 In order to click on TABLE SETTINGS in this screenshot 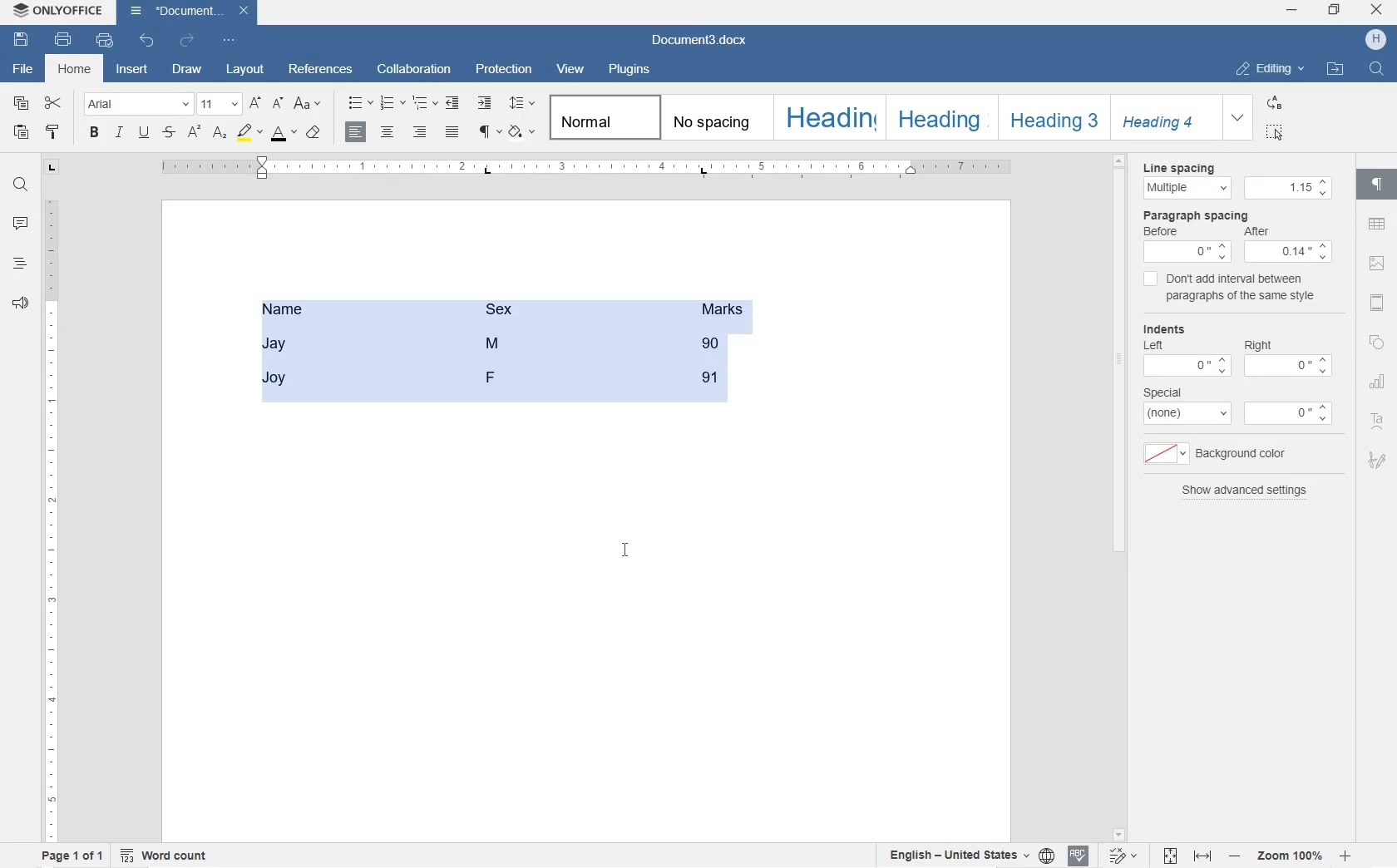, I will do `click(1377, 223)`.